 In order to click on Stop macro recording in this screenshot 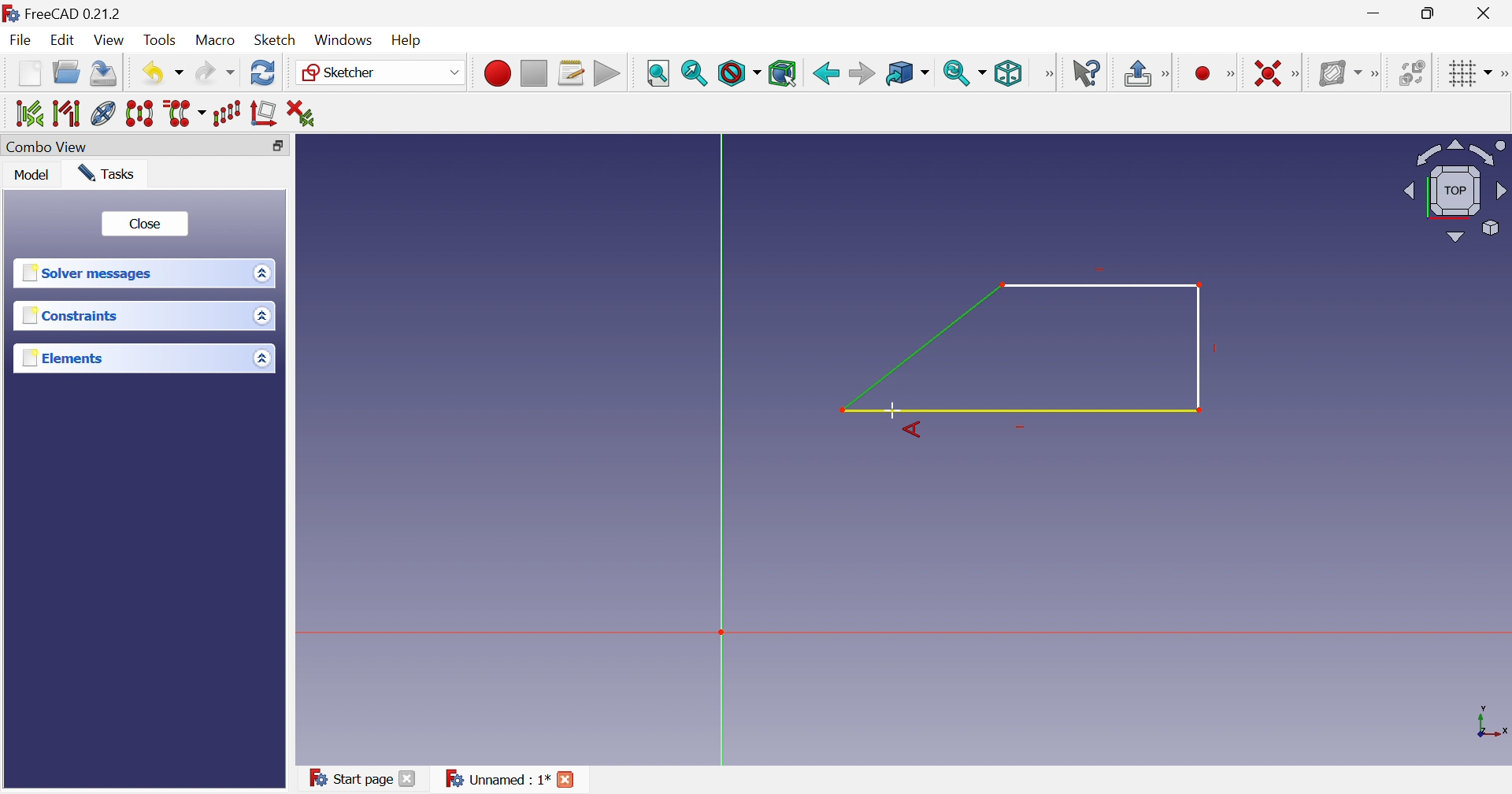, I will do `click(533, 72)`.